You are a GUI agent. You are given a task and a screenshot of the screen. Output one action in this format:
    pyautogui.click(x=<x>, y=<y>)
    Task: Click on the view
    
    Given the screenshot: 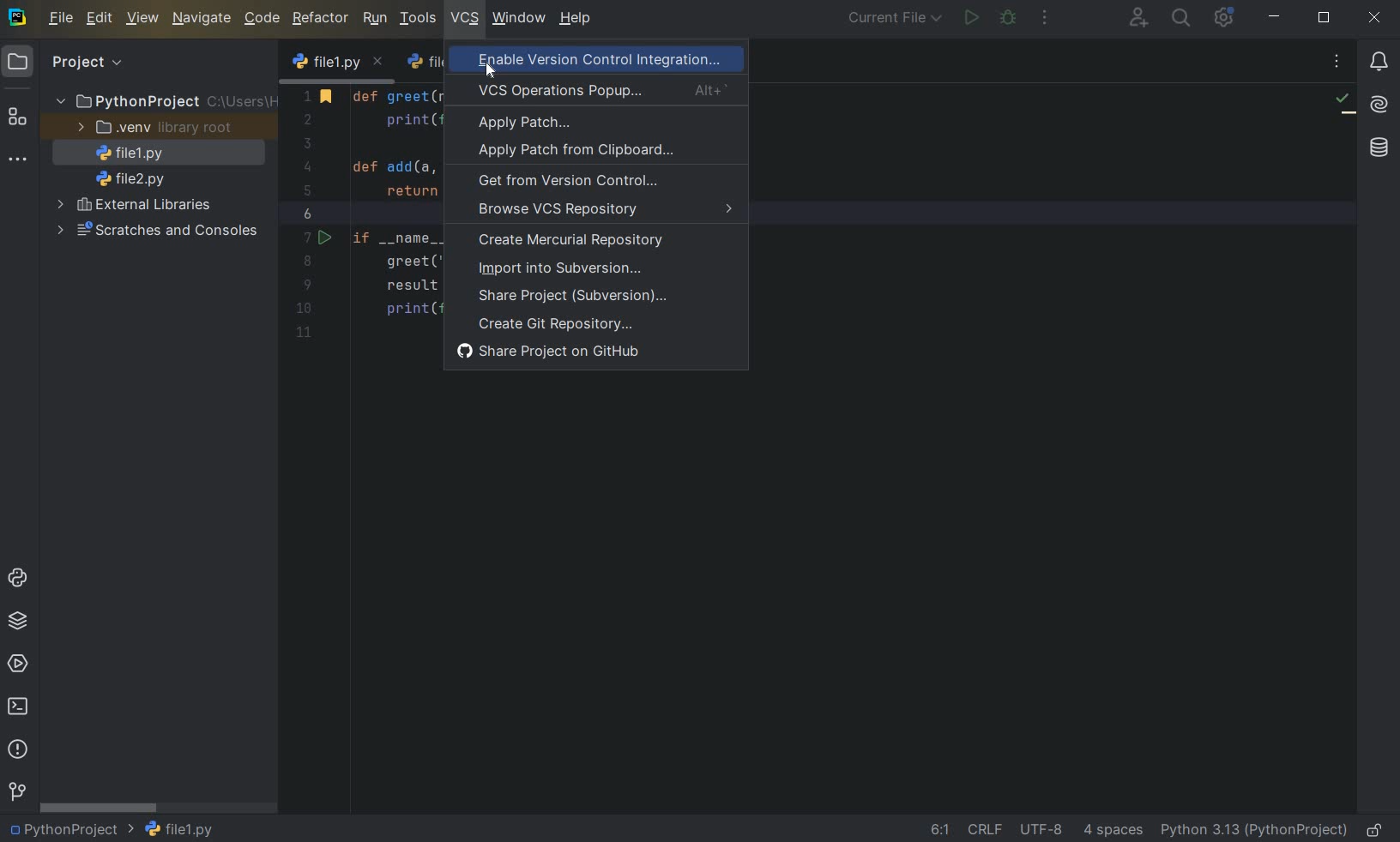 What is the action you would take?
    pyautogui.click(x=144, y=19)
    